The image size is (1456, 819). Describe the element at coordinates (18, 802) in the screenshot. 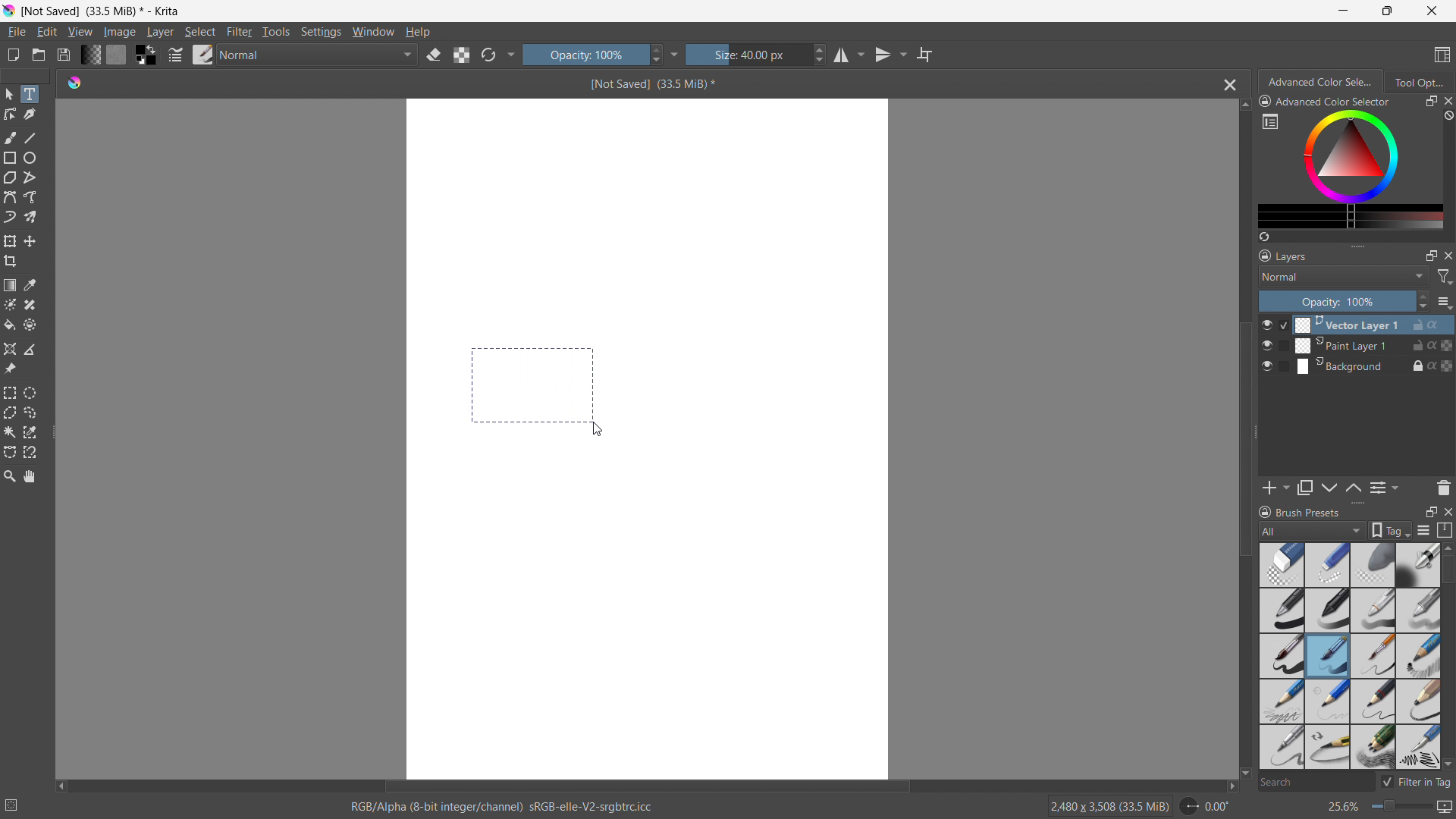

I see `no selection` at that location.